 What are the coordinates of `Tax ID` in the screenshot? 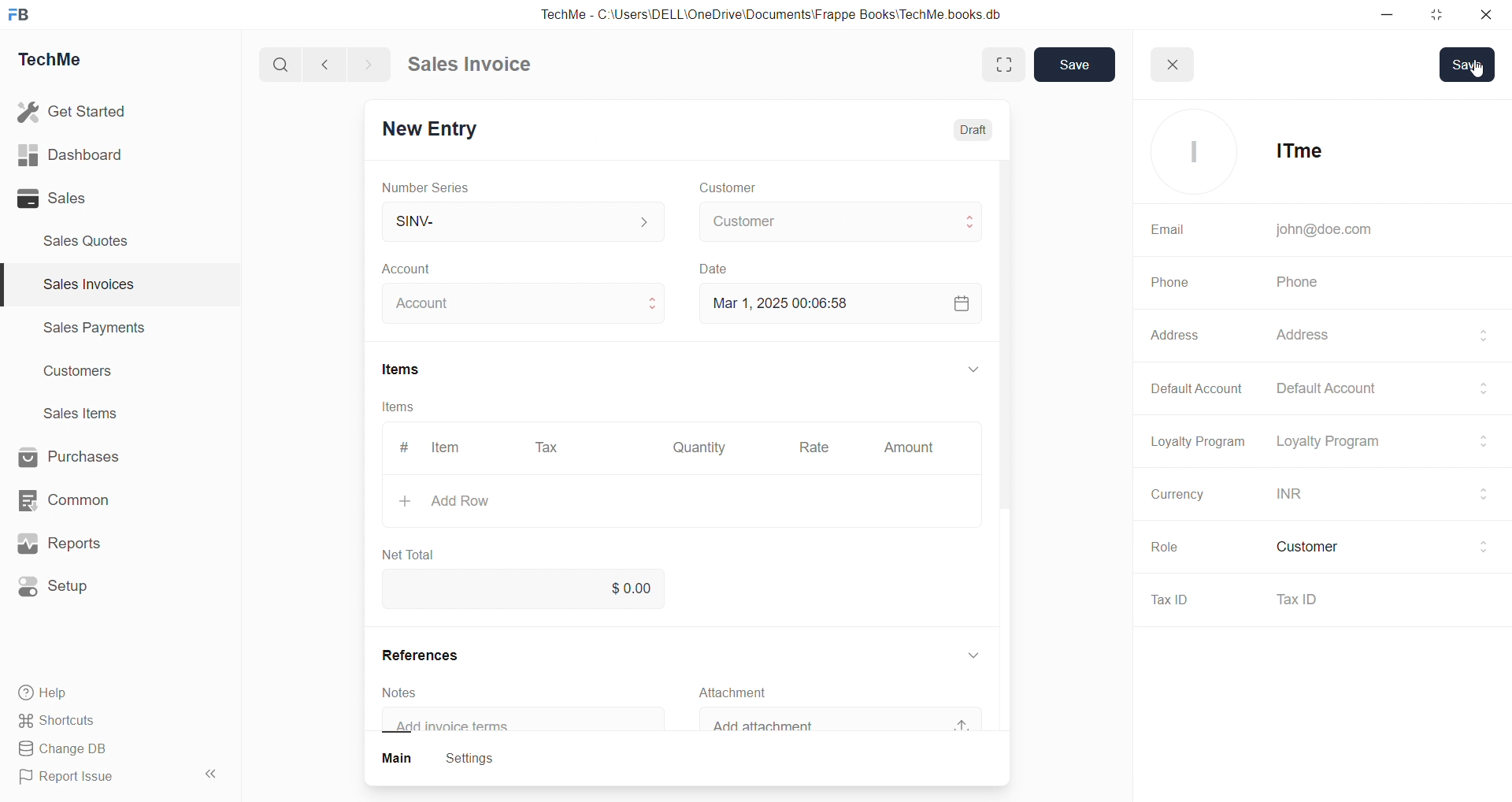 It's located at (1171, 601).